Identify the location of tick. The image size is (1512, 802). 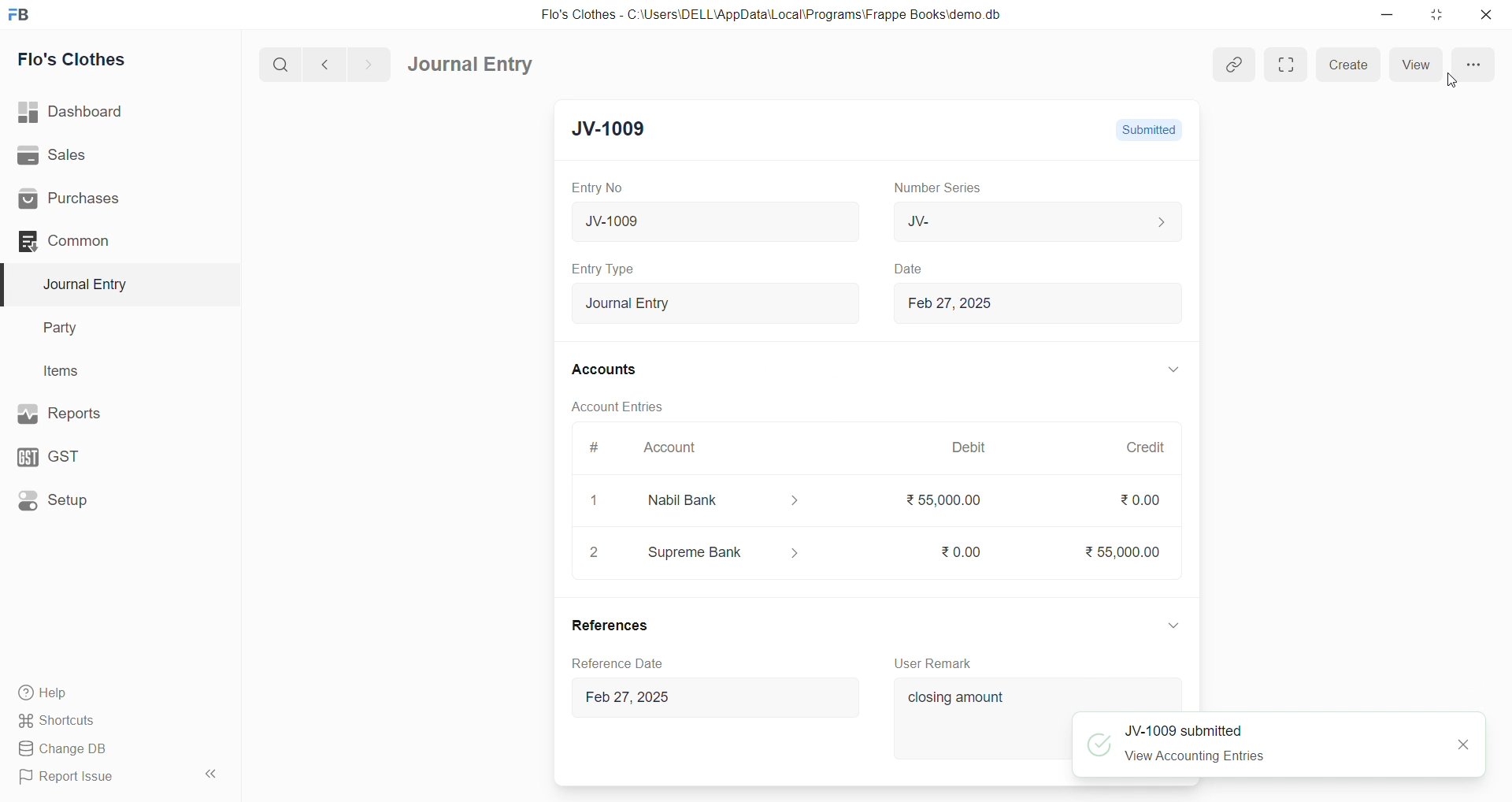
(1095, 746).